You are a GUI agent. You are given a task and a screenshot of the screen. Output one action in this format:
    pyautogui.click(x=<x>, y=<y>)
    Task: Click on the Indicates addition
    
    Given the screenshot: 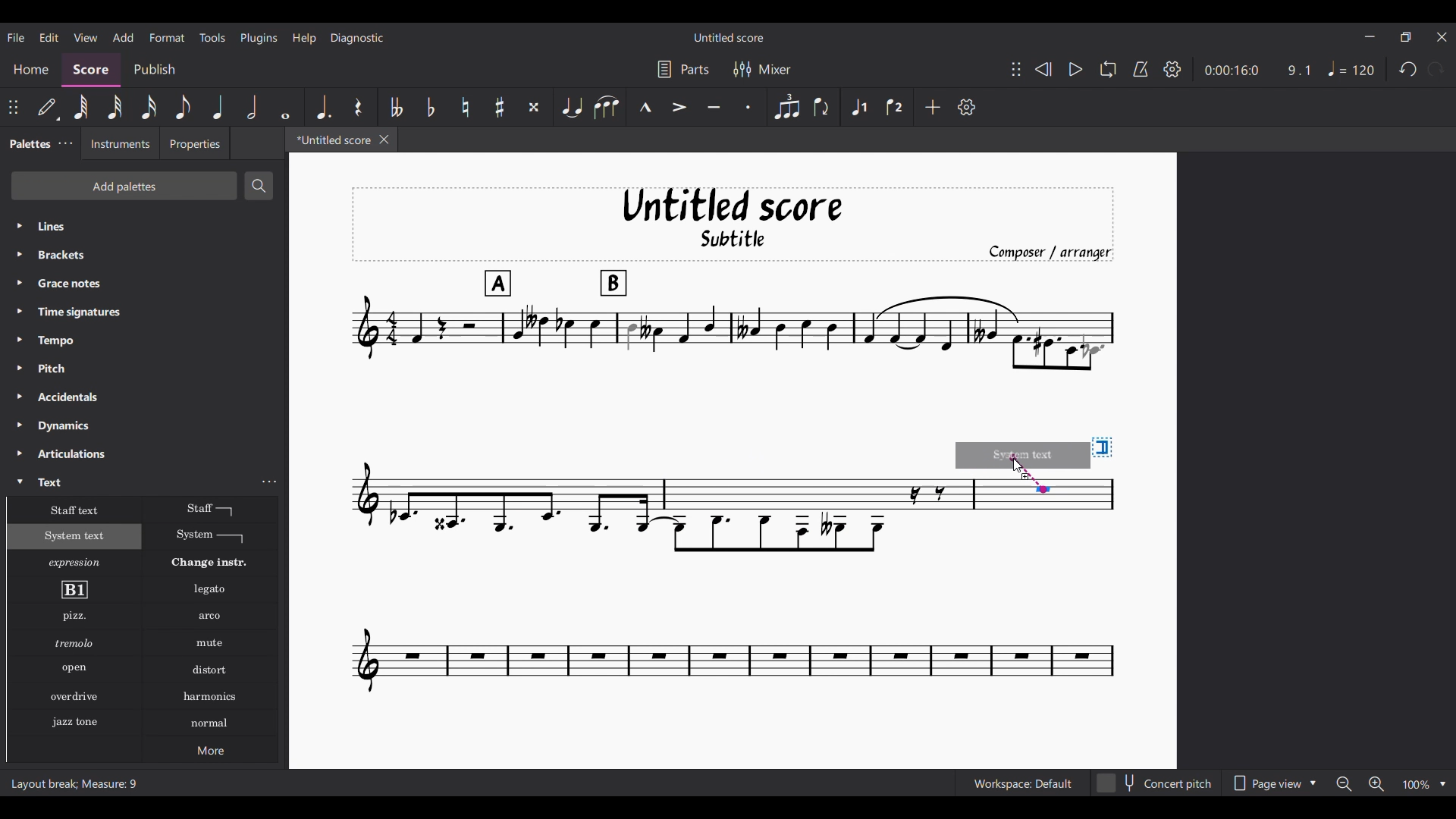 What is the action you would take?
    pyautogui.click(x=1025, y=477)
    